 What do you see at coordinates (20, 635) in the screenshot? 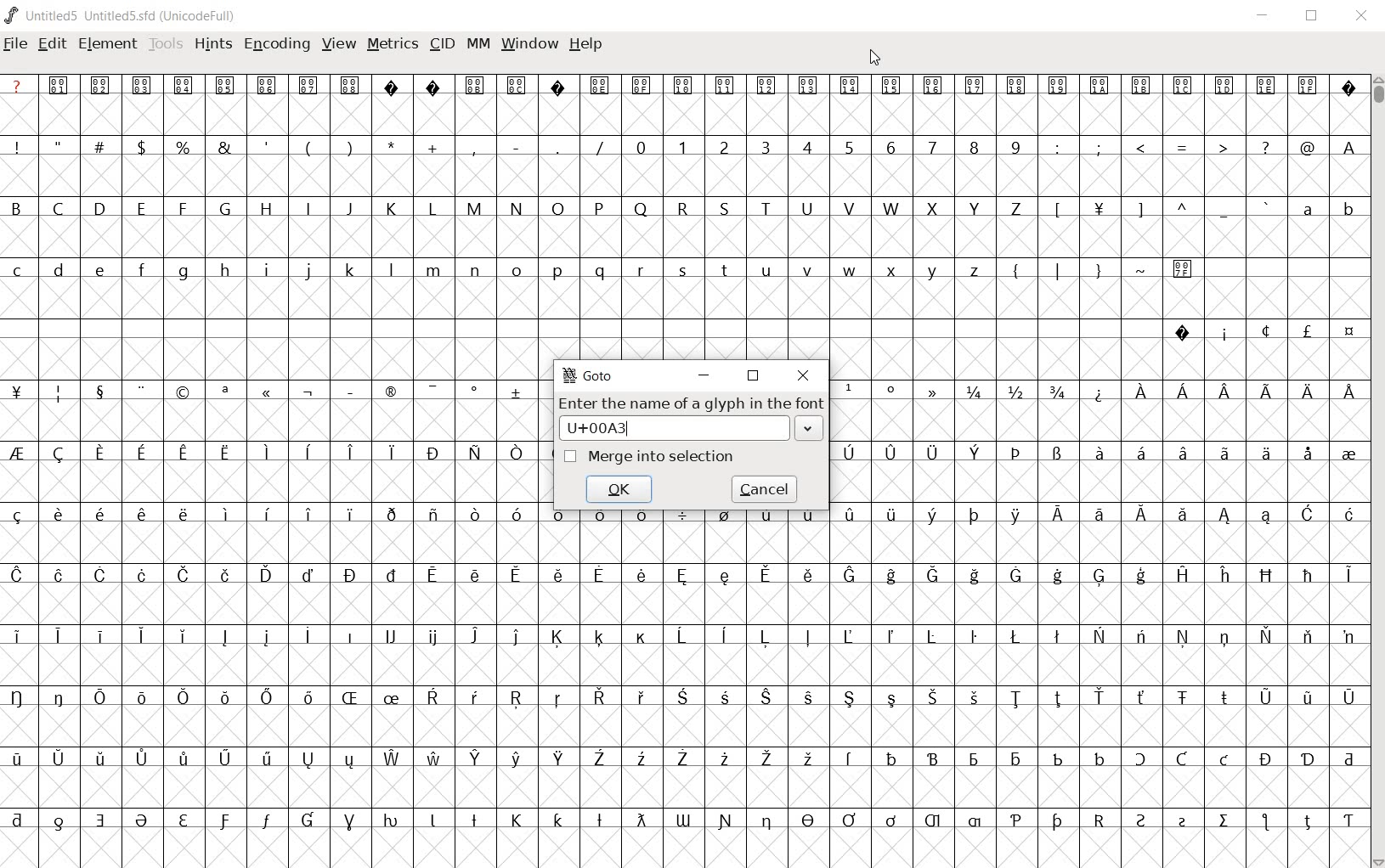
I see `Symbol` at bounding box center [20, 635].